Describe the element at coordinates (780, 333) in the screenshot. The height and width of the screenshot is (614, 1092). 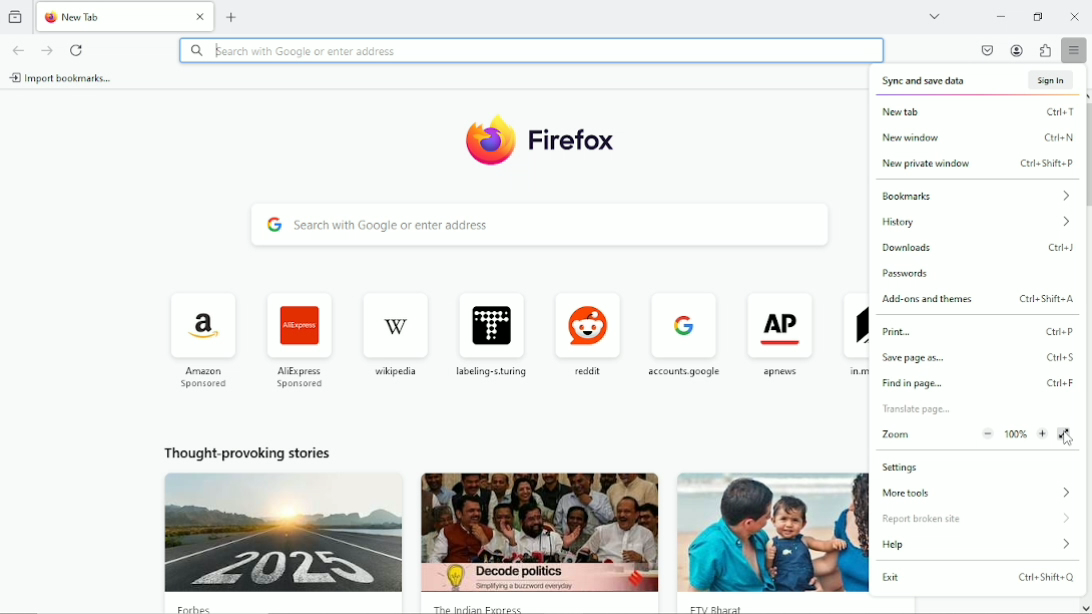
I see `ap news` at that location.